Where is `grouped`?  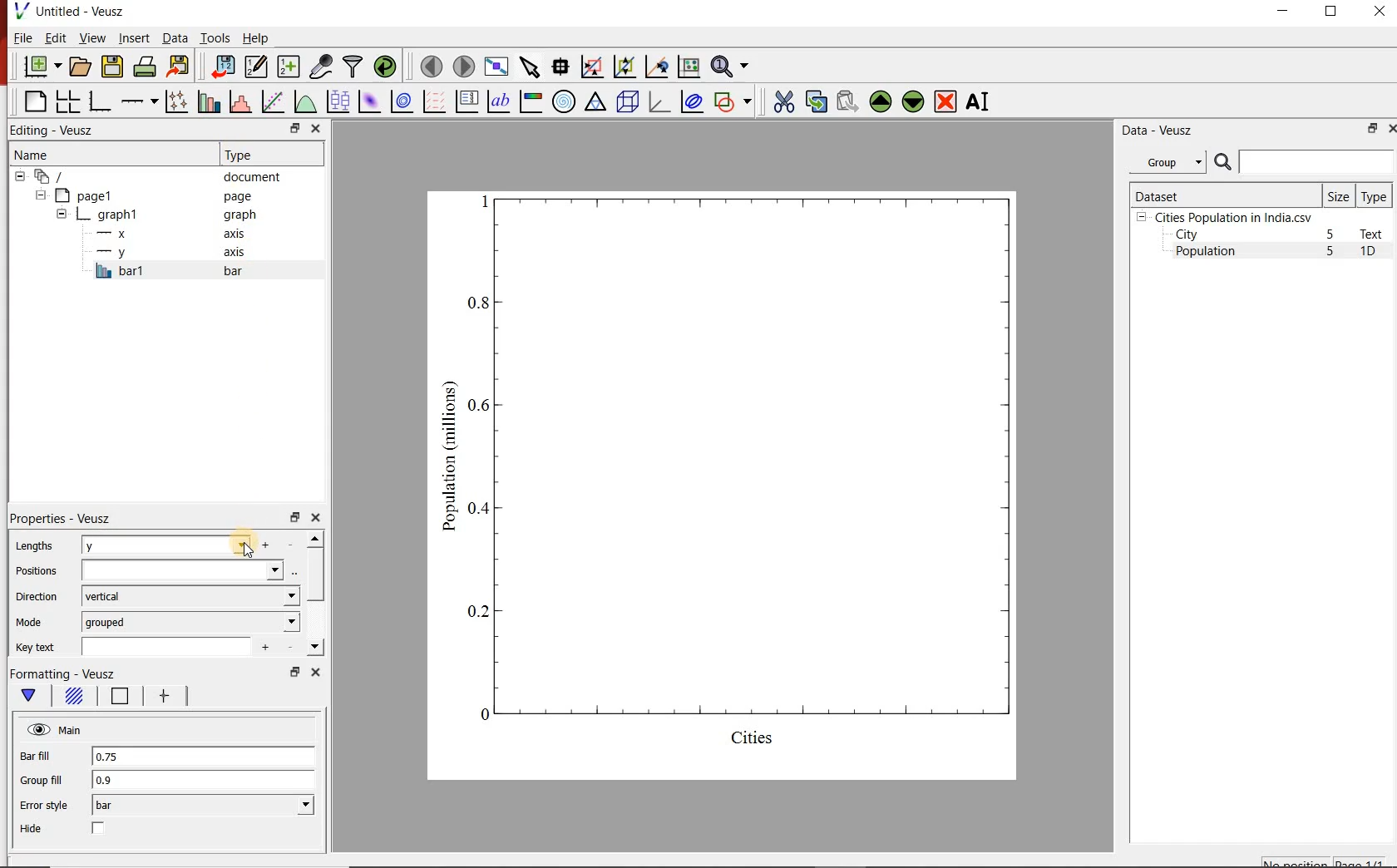 grouped is located at coordinates (191, 621).